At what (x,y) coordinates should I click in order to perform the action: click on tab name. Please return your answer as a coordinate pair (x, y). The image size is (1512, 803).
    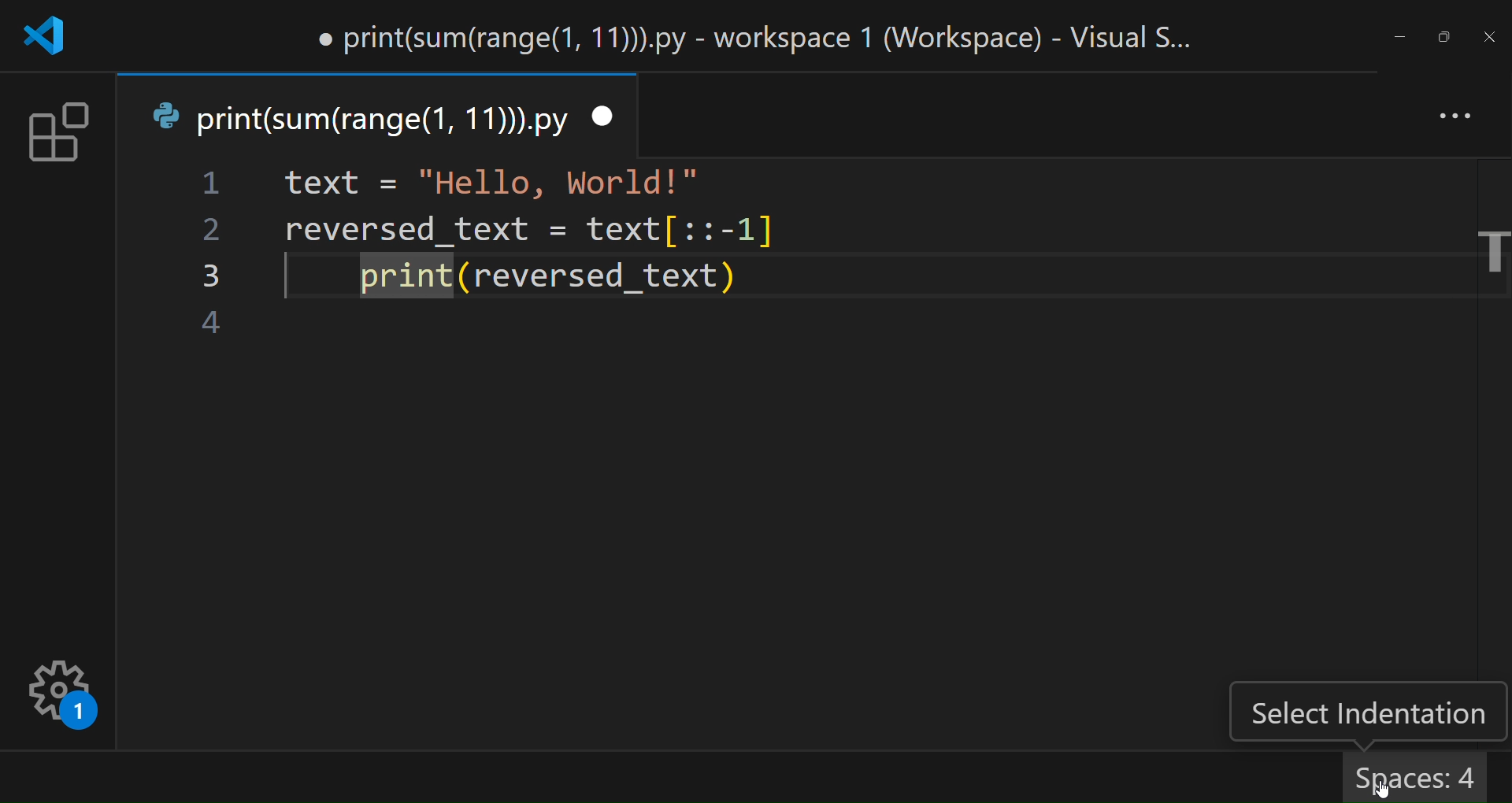
    Looking at the image, I should click on (347, 111).